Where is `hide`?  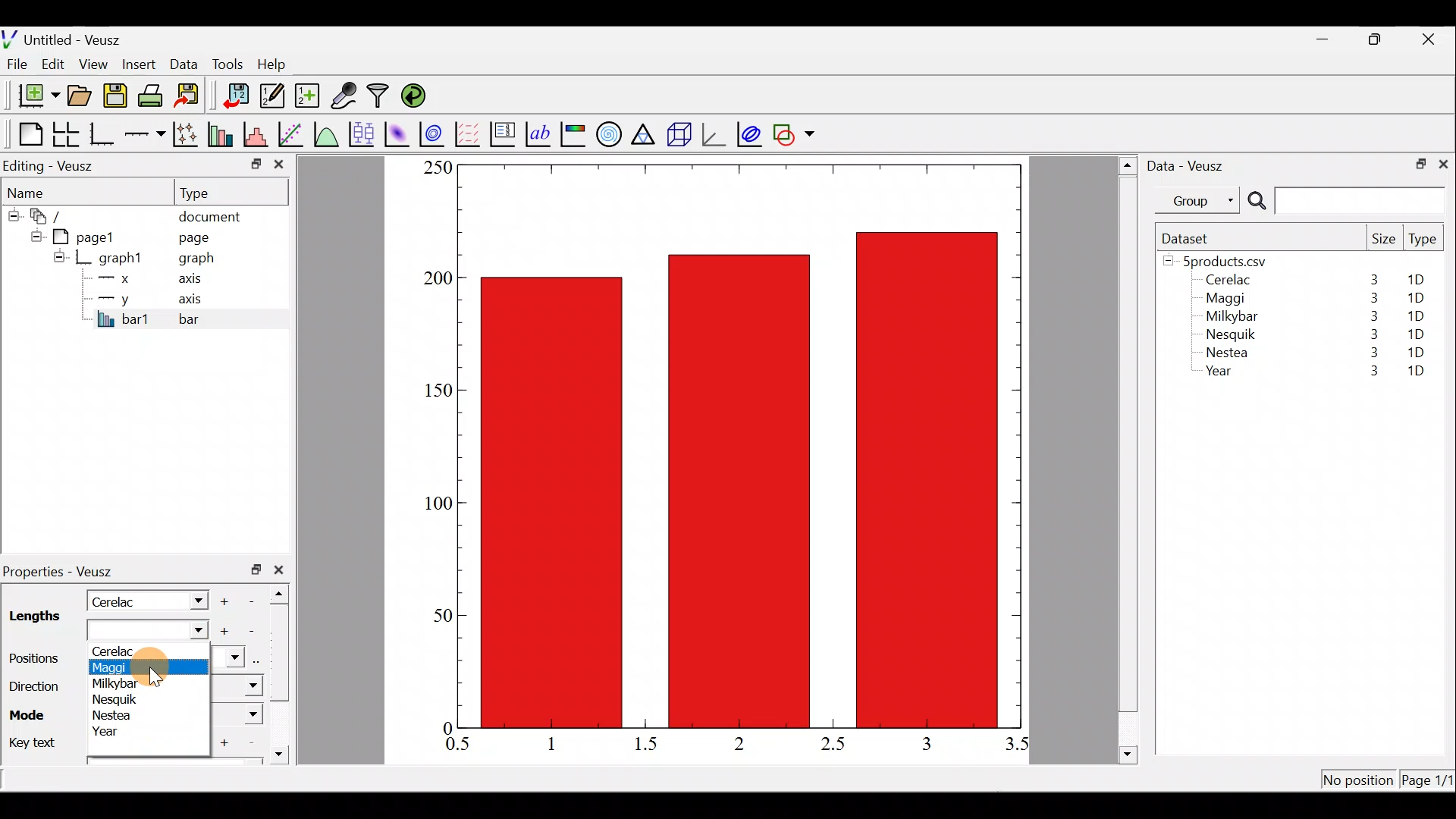 hide is located at coordinates (59, 256).